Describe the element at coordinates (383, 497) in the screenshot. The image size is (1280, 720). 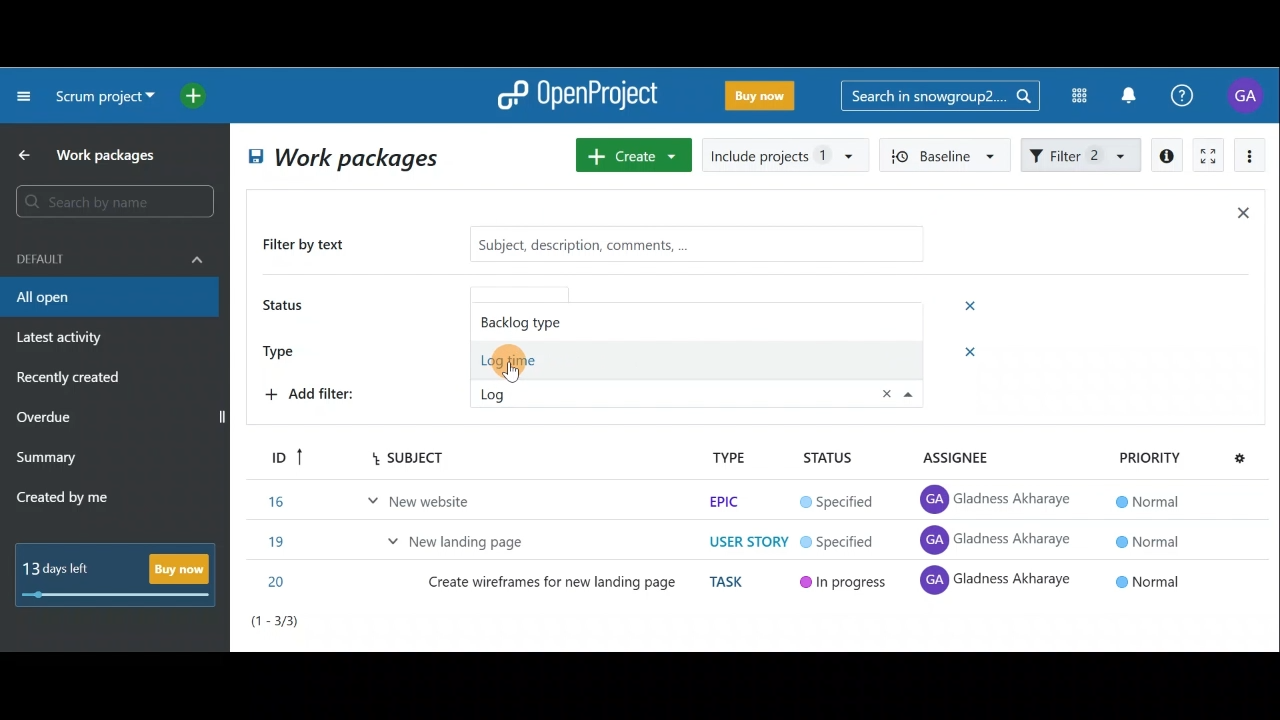
I see `Item 14` at that location.